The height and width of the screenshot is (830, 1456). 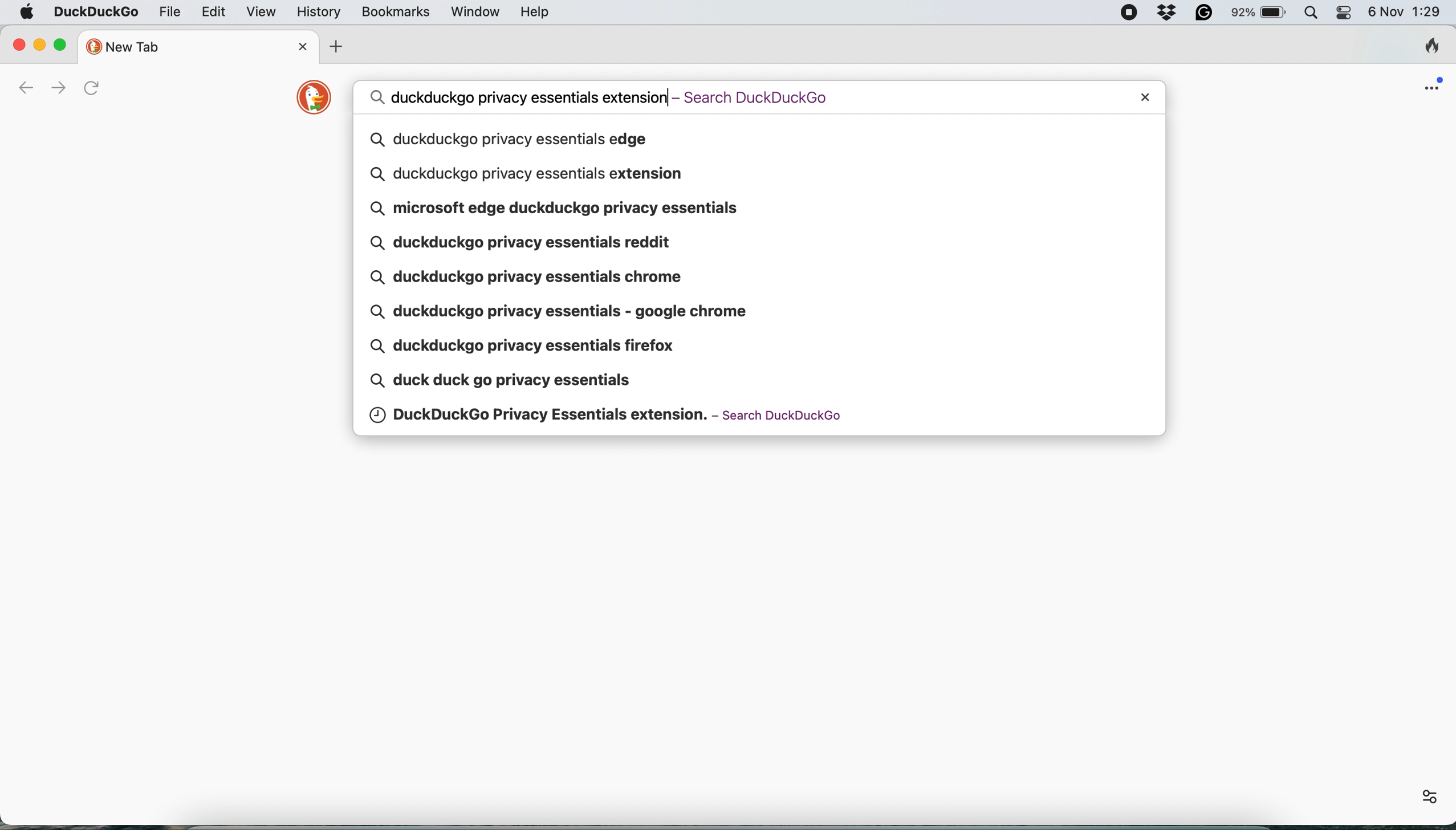 I want to click on 6 Nov 1:28, so click(x=1405, y=11).